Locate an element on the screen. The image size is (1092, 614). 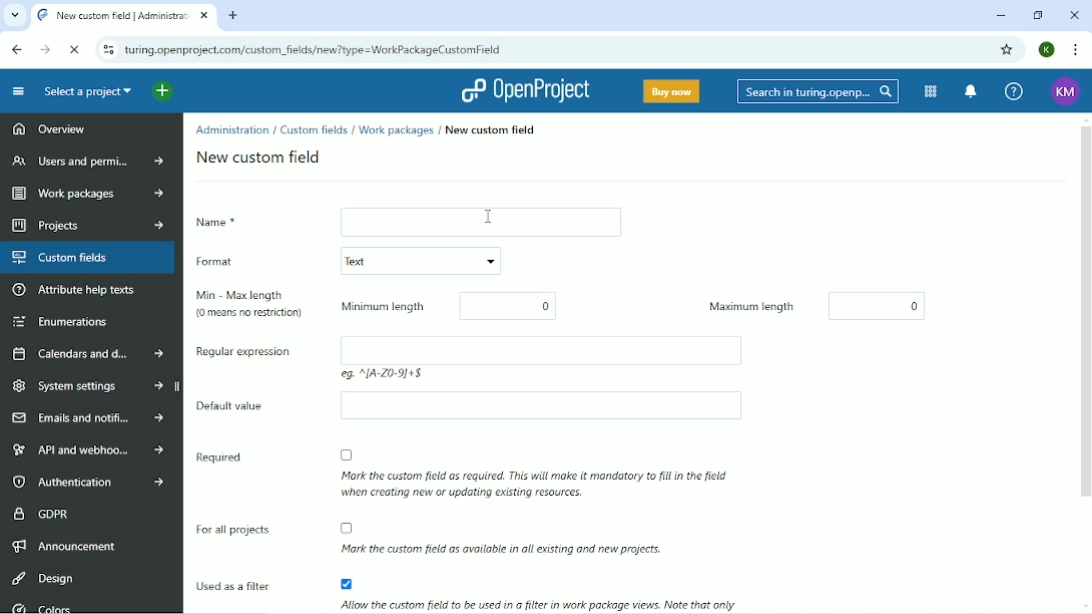
Overview is located at coordinates (49, 127).